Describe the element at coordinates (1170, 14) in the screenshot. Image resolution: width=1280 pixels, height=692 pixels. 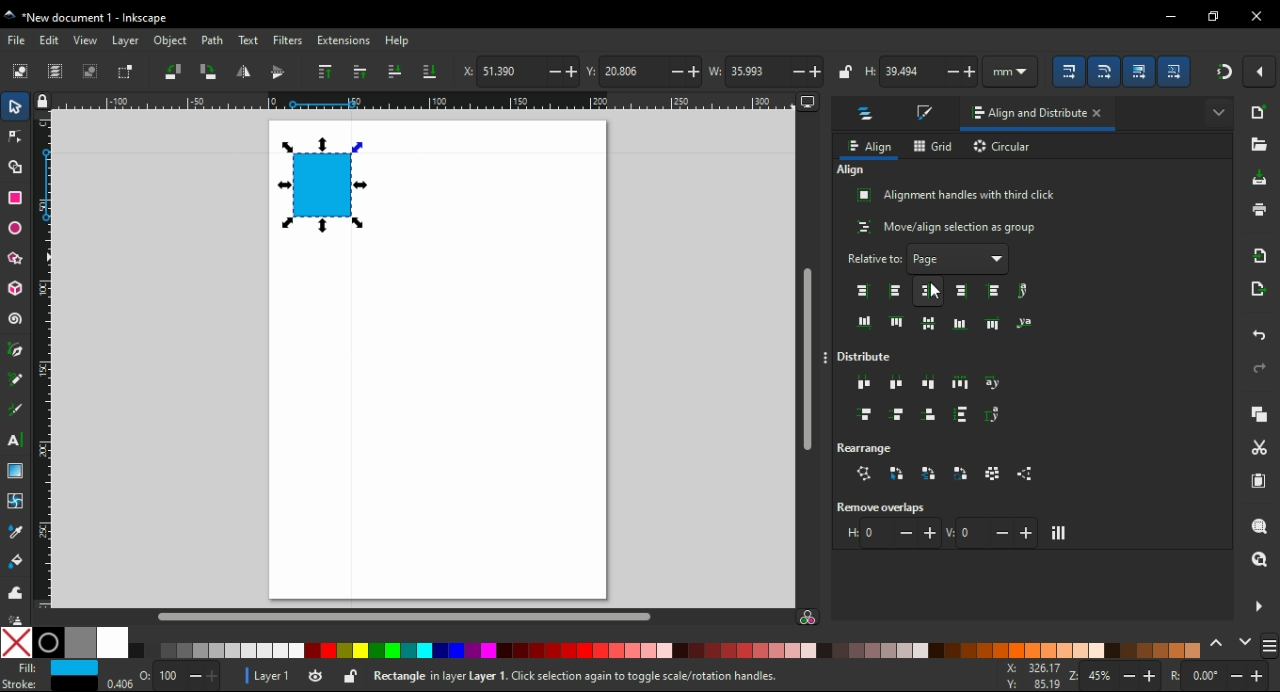
I see `minimize` at that location.